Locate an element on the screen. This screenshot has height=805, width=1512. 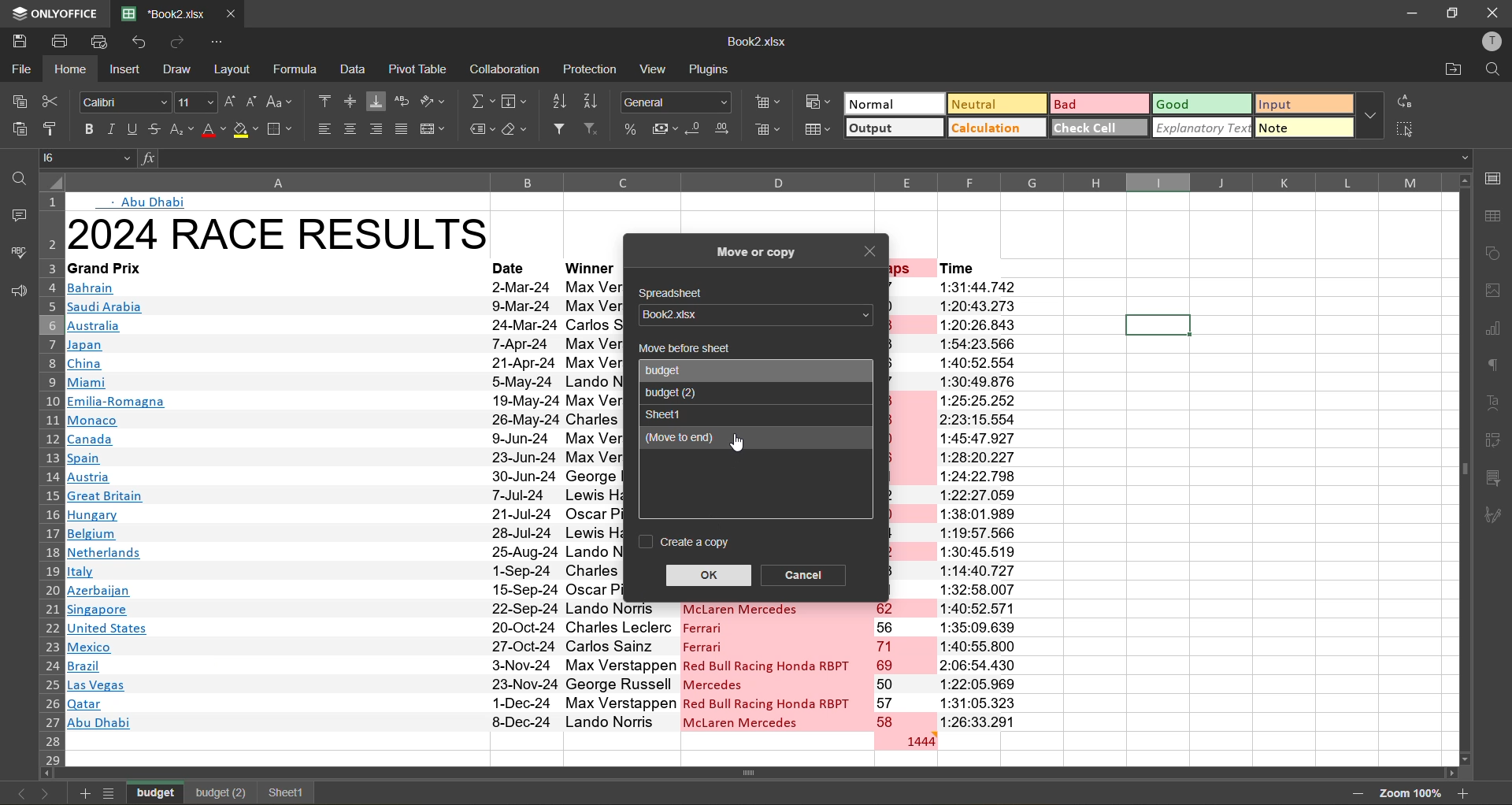
replace is located at coordinates (1403, 102).